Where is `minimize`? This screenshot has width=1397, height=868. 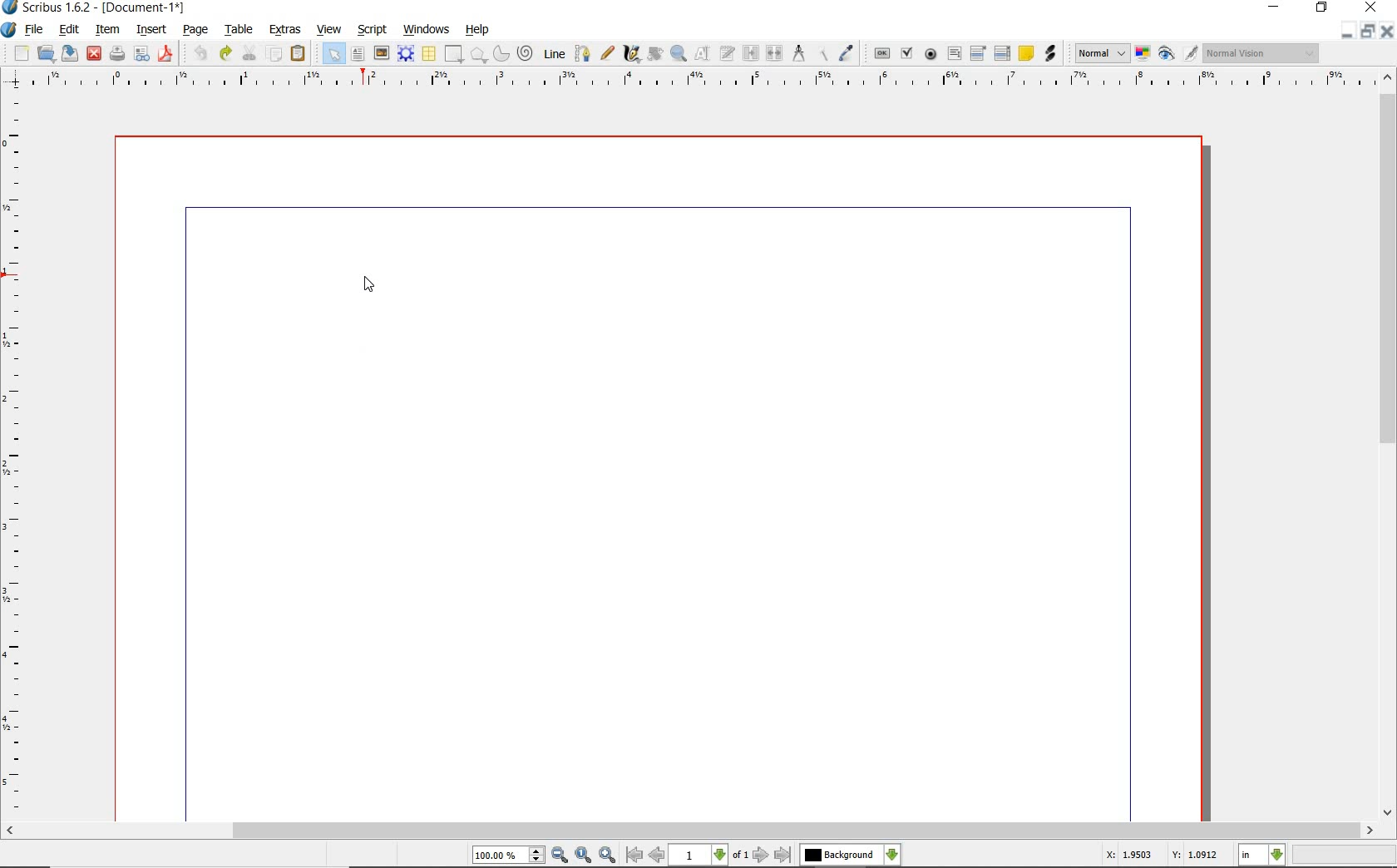
minimize is located at coordinates (1345, 32).